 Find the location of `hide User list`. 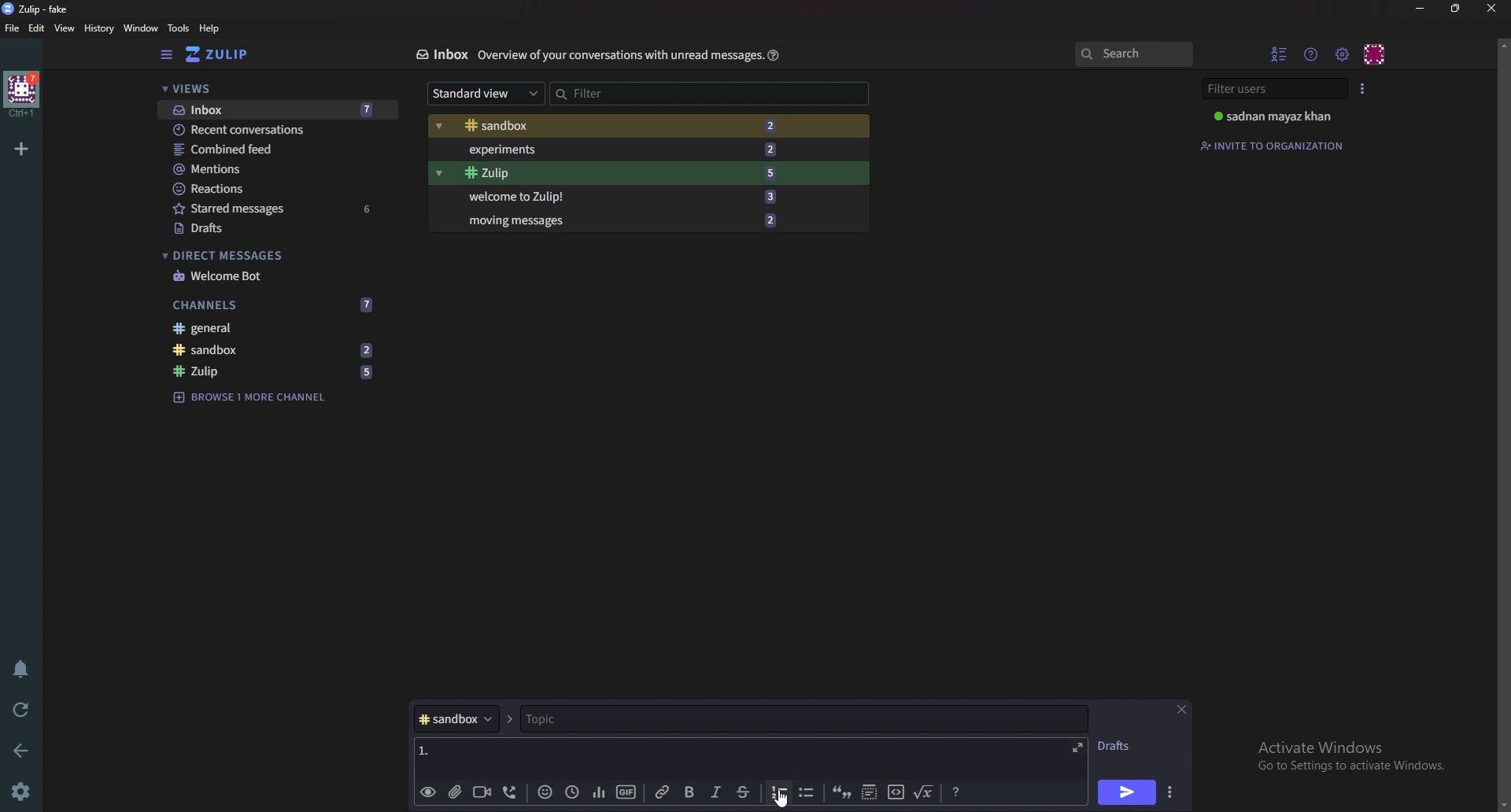

hide User list is located at coordinates (1280, 54).